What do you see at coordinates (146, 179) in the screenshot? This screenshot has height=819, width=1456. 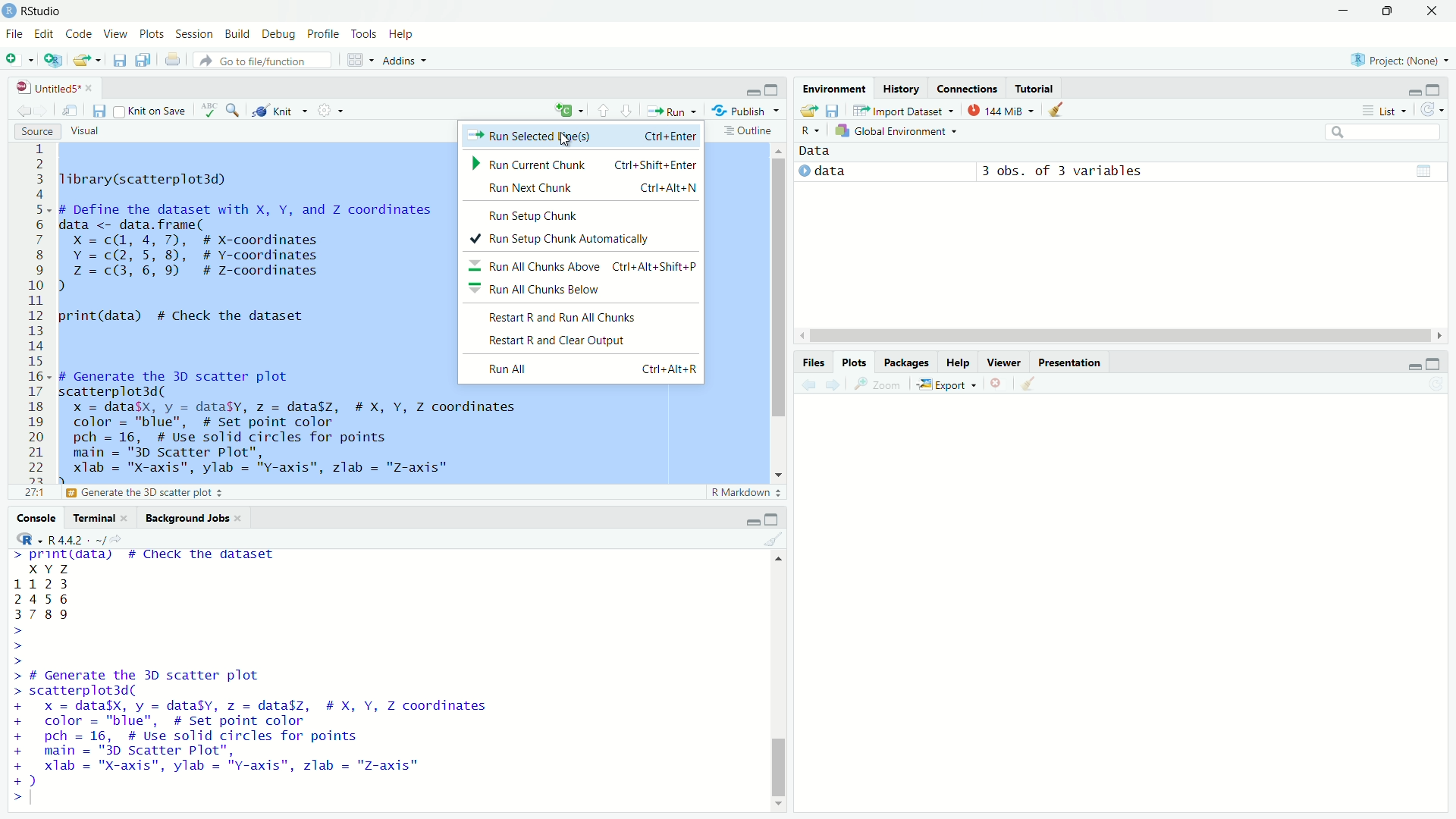 I see `library (scatterplot3d)` at bounding box center [146, 179].